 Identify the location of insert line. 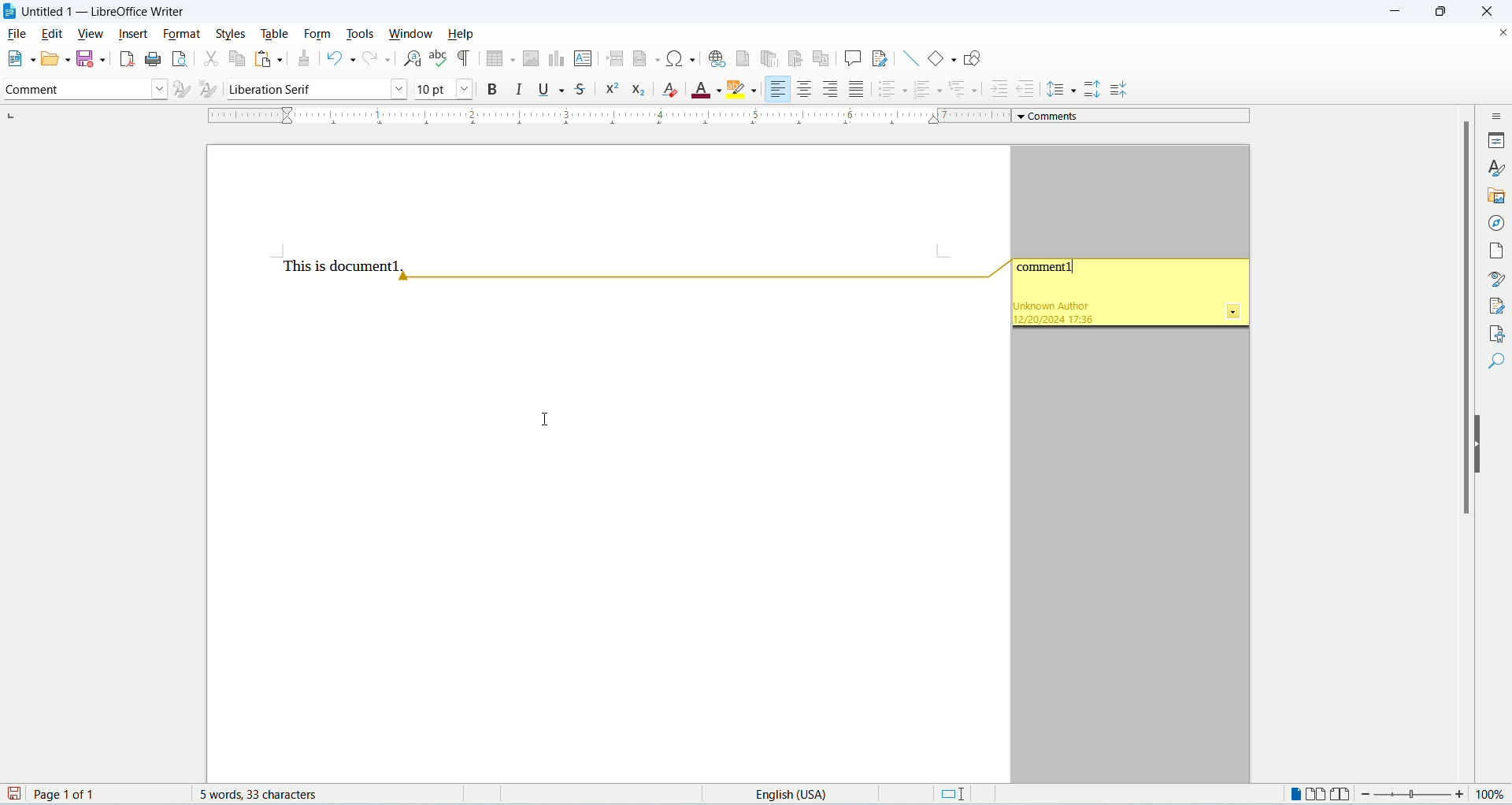
(911, 58).